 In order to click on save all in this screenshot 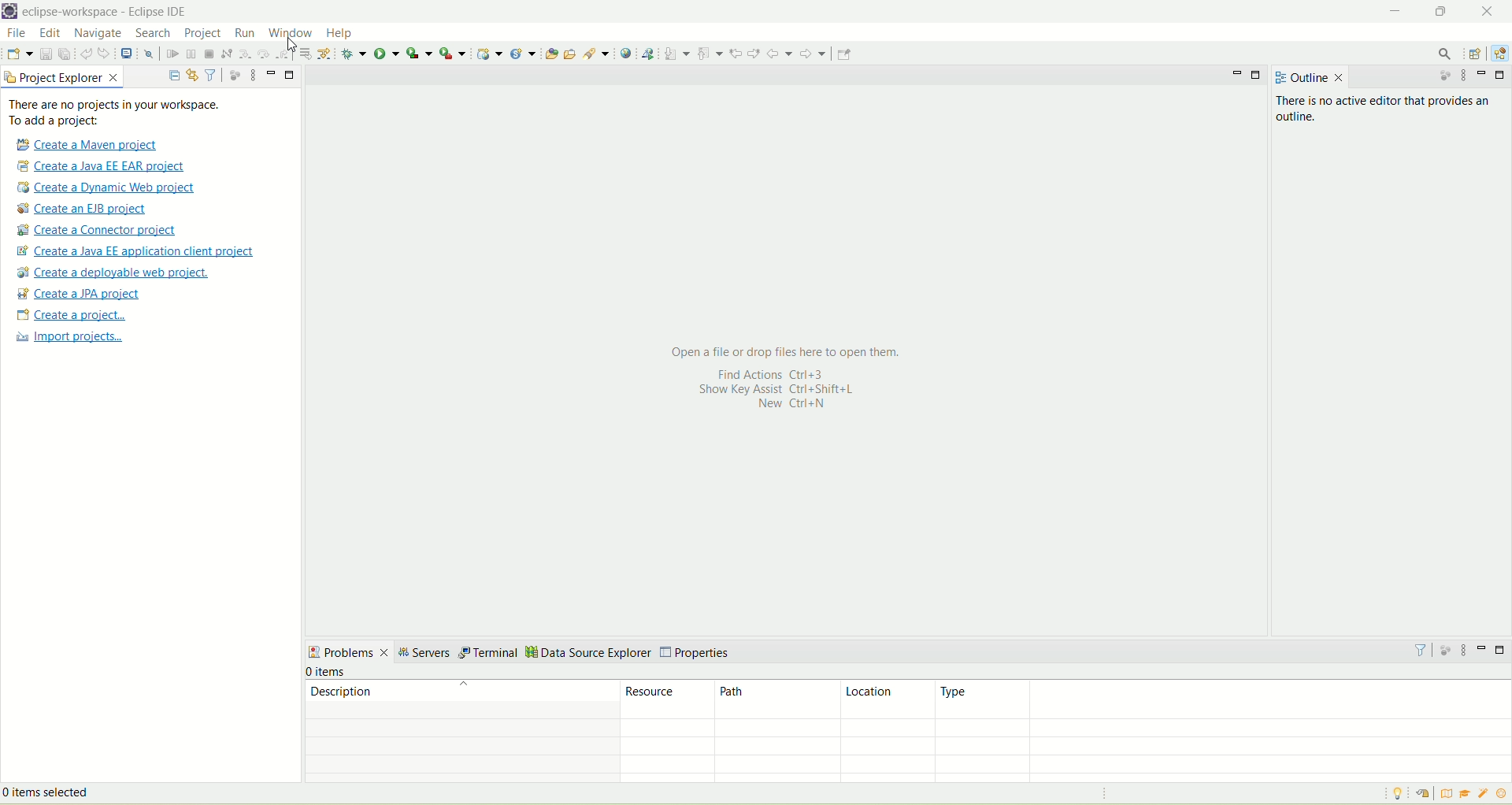, I will do `click(65, 54)`.